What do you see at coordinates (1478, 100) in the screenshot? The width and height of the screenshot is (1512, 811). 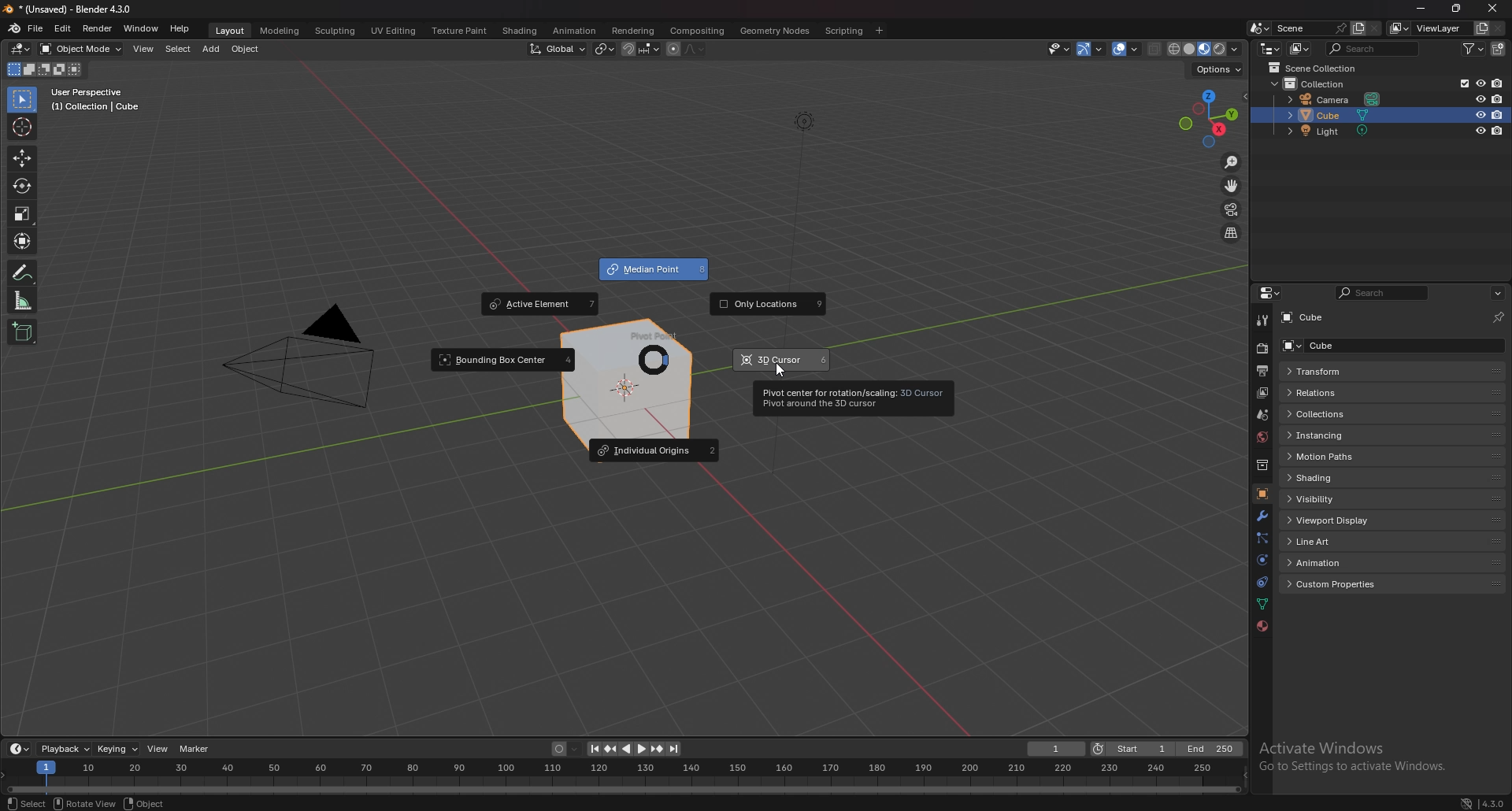 I see `hide in viewport` at bounding box center [1478, 100].